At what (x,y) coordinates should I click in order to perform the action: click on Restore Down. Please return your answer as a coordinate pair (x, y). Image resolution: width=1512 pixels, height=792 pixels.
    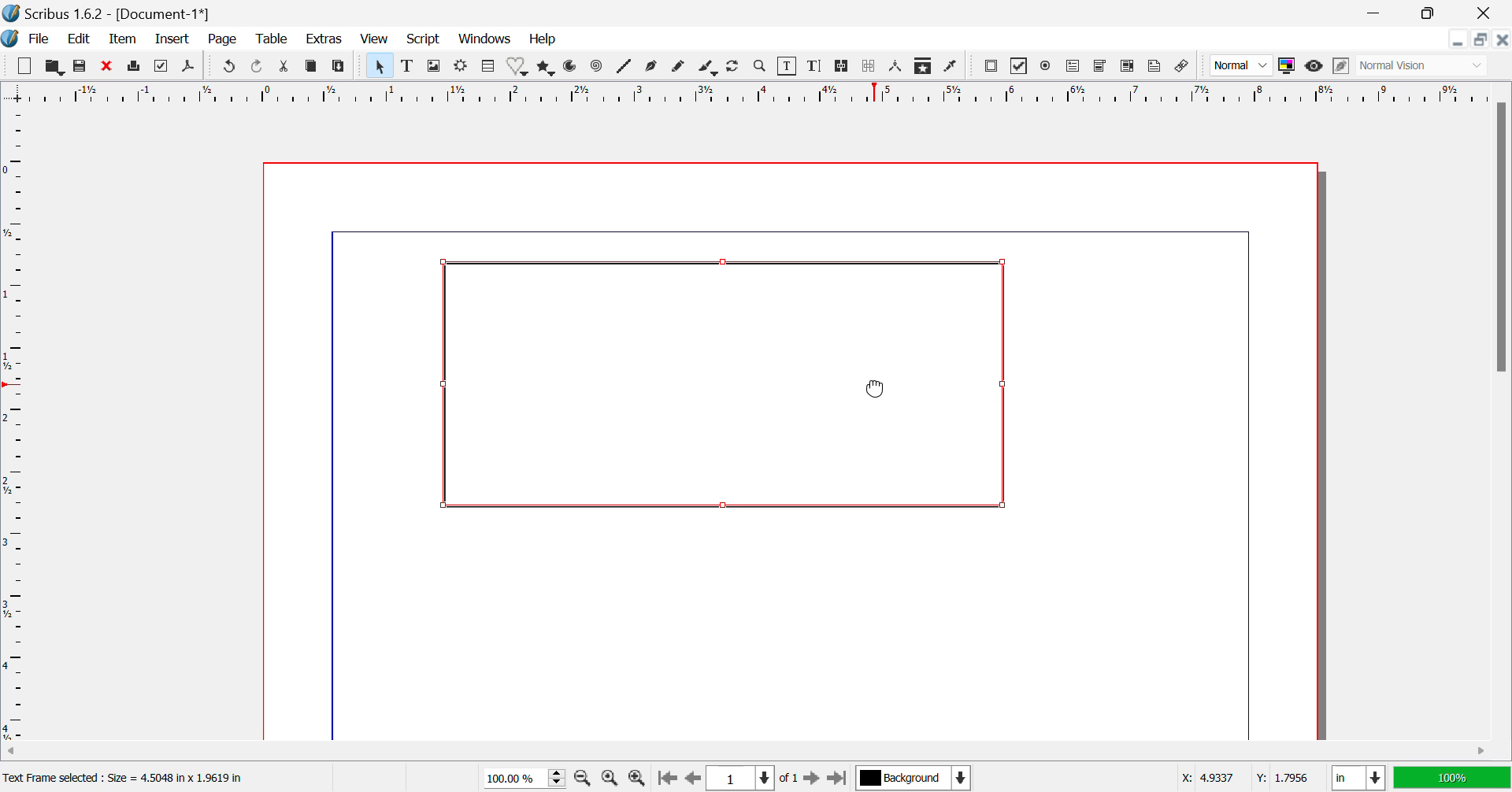
    Looking at the image, I should click on (1460, 40).